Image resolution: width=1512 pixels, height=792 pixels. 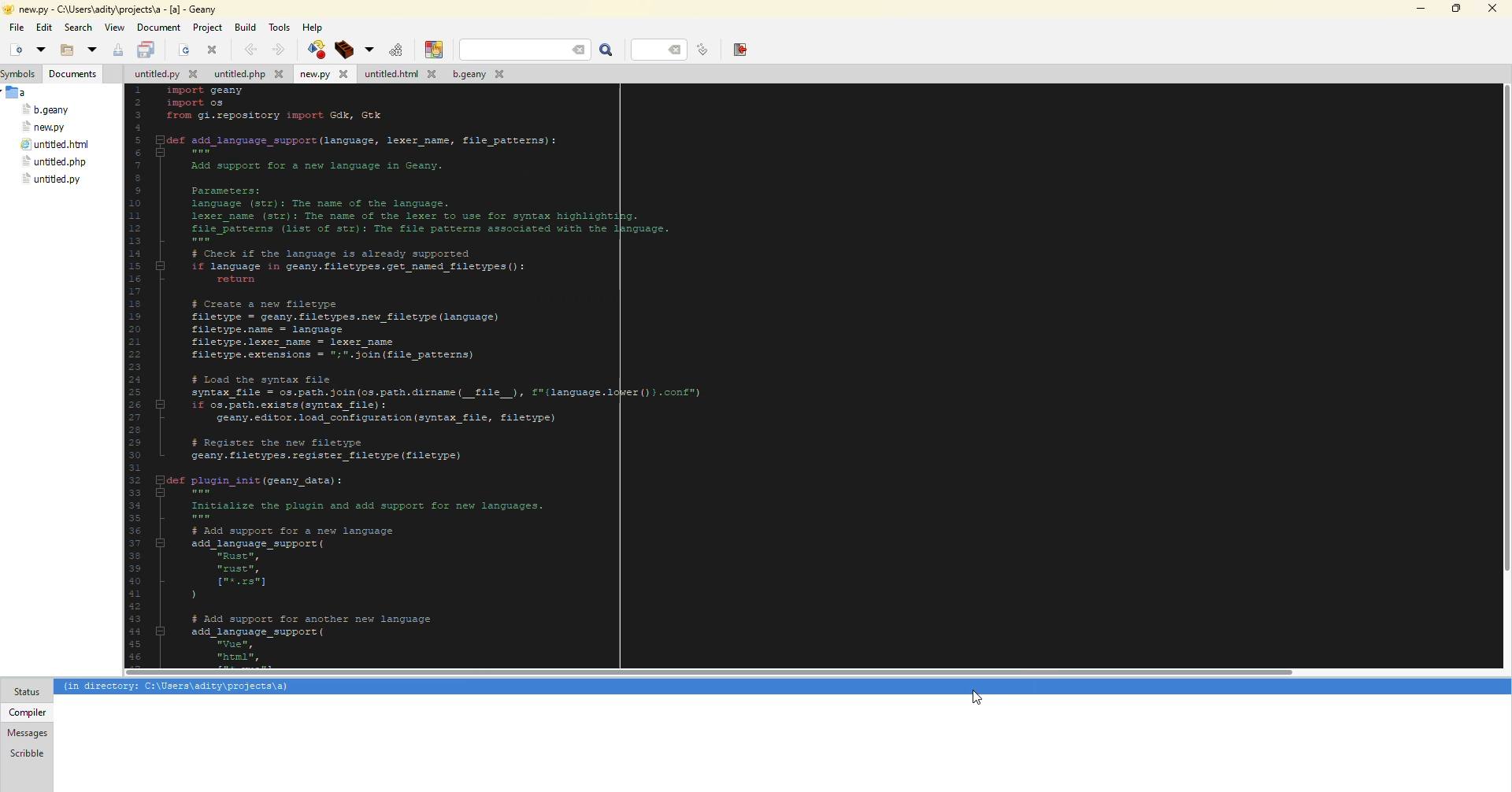 I want to click on build, so click(x=245, y=26).